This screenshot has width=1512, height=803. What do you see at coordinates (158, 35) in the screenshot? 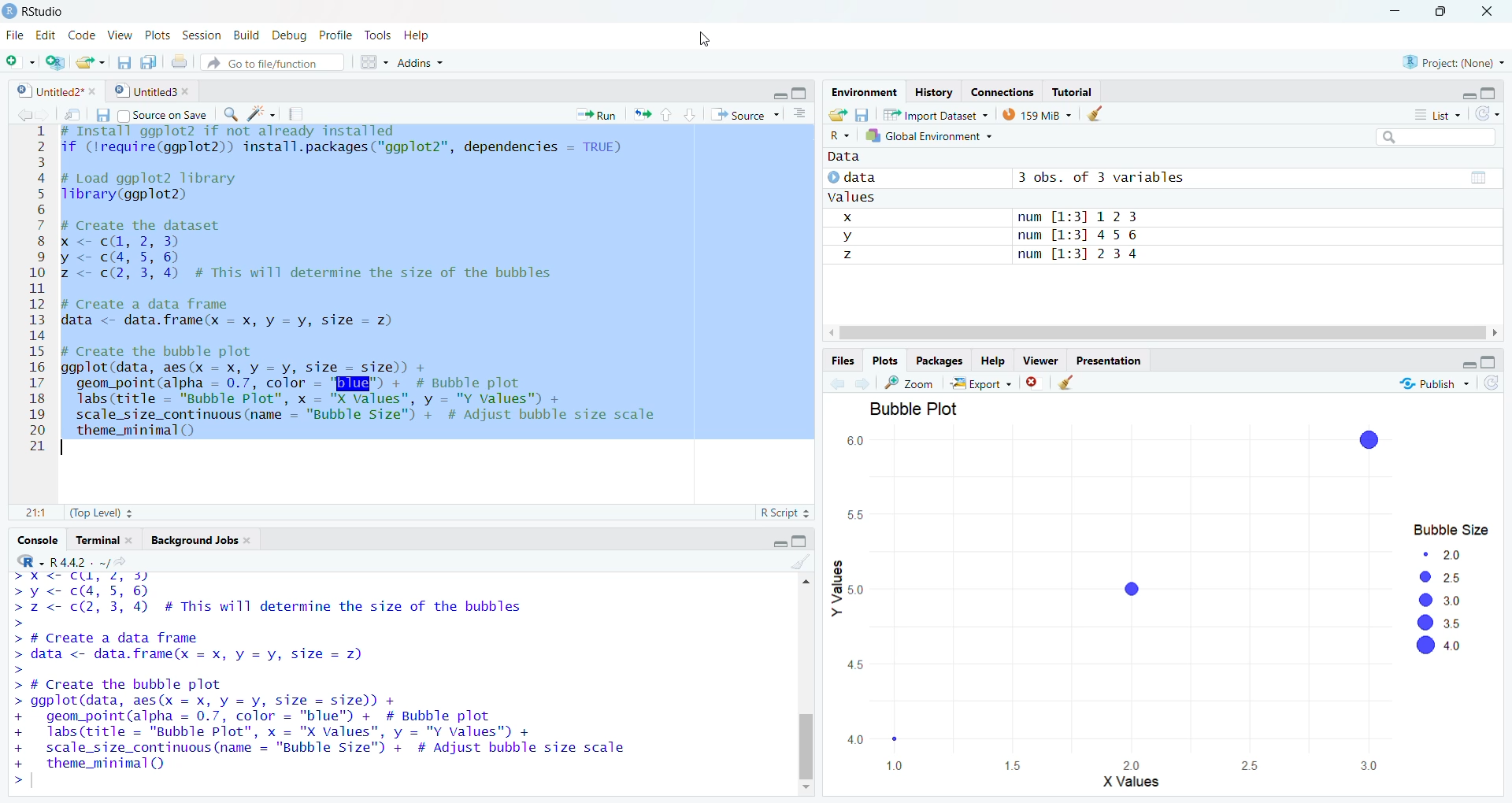
I see `Plots` at bounding box center [158, 35].